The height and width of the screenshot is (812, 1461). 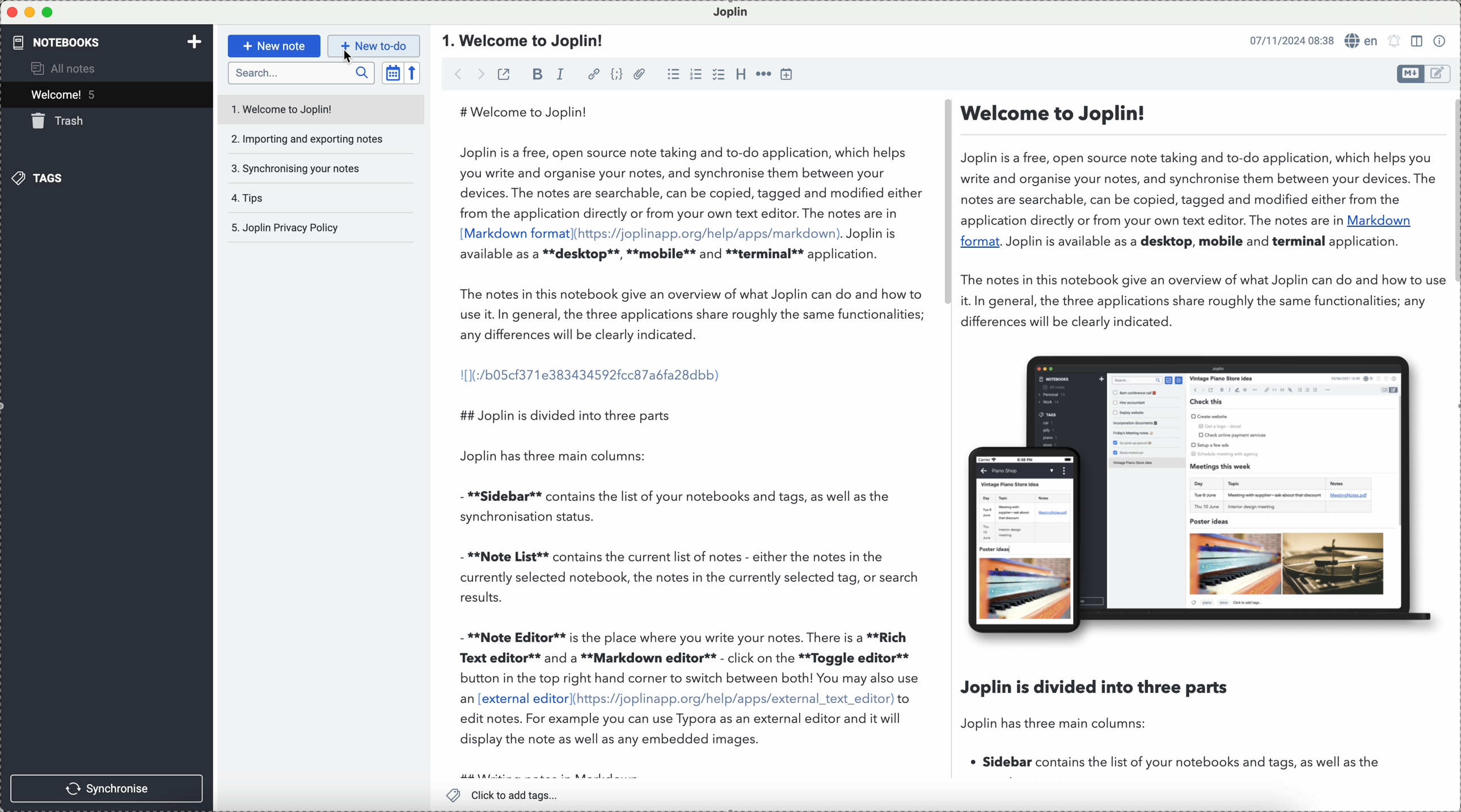 I want to click on add tags, so click(x=504, y=796).